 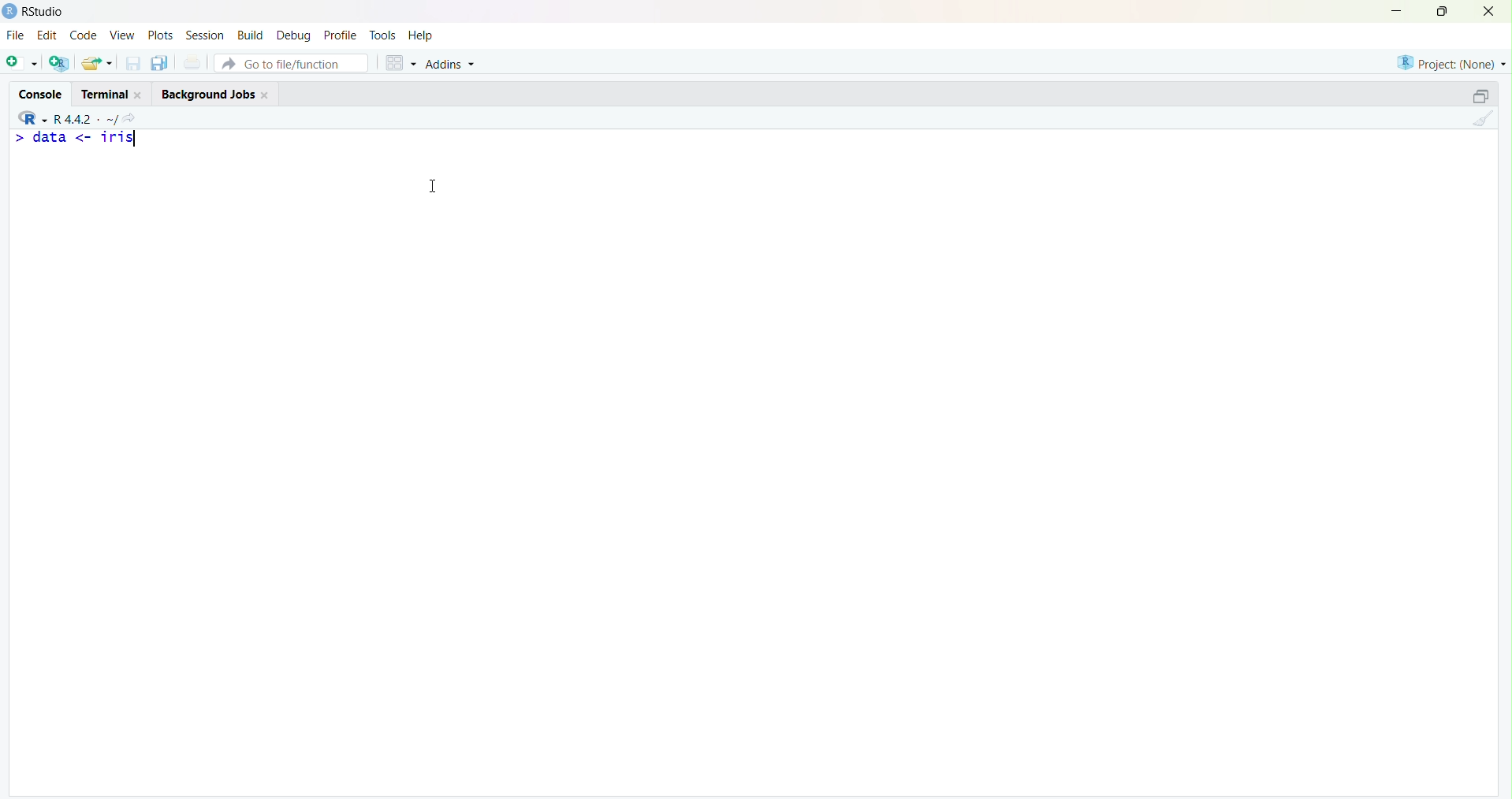 I want to click on Close, so click(x=1489, y=13).